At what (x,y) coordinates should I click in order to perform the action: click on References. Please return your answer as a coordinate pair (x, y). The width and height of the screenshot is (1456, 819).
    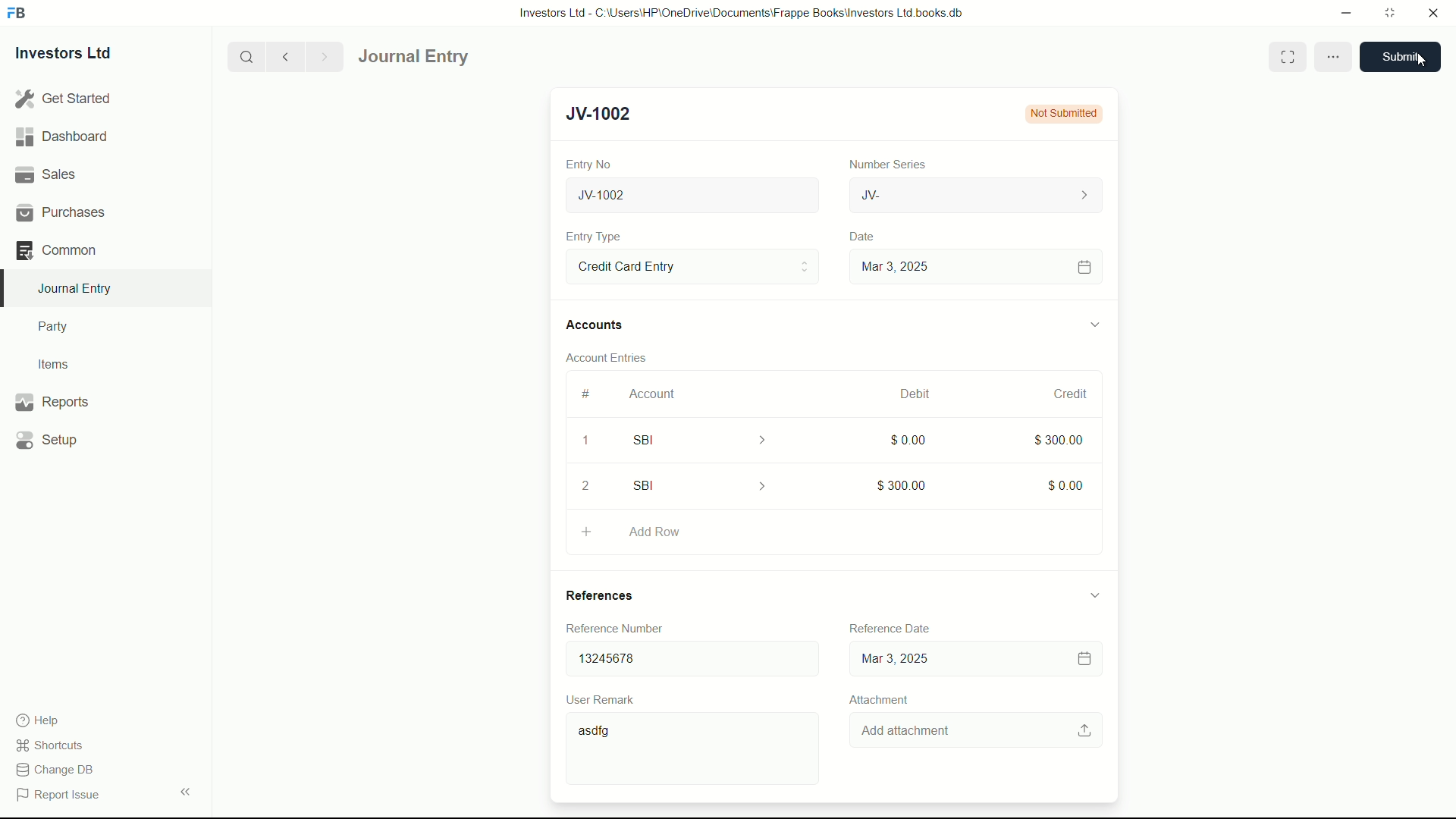
    Looking at the image, I should click on (614, 595).